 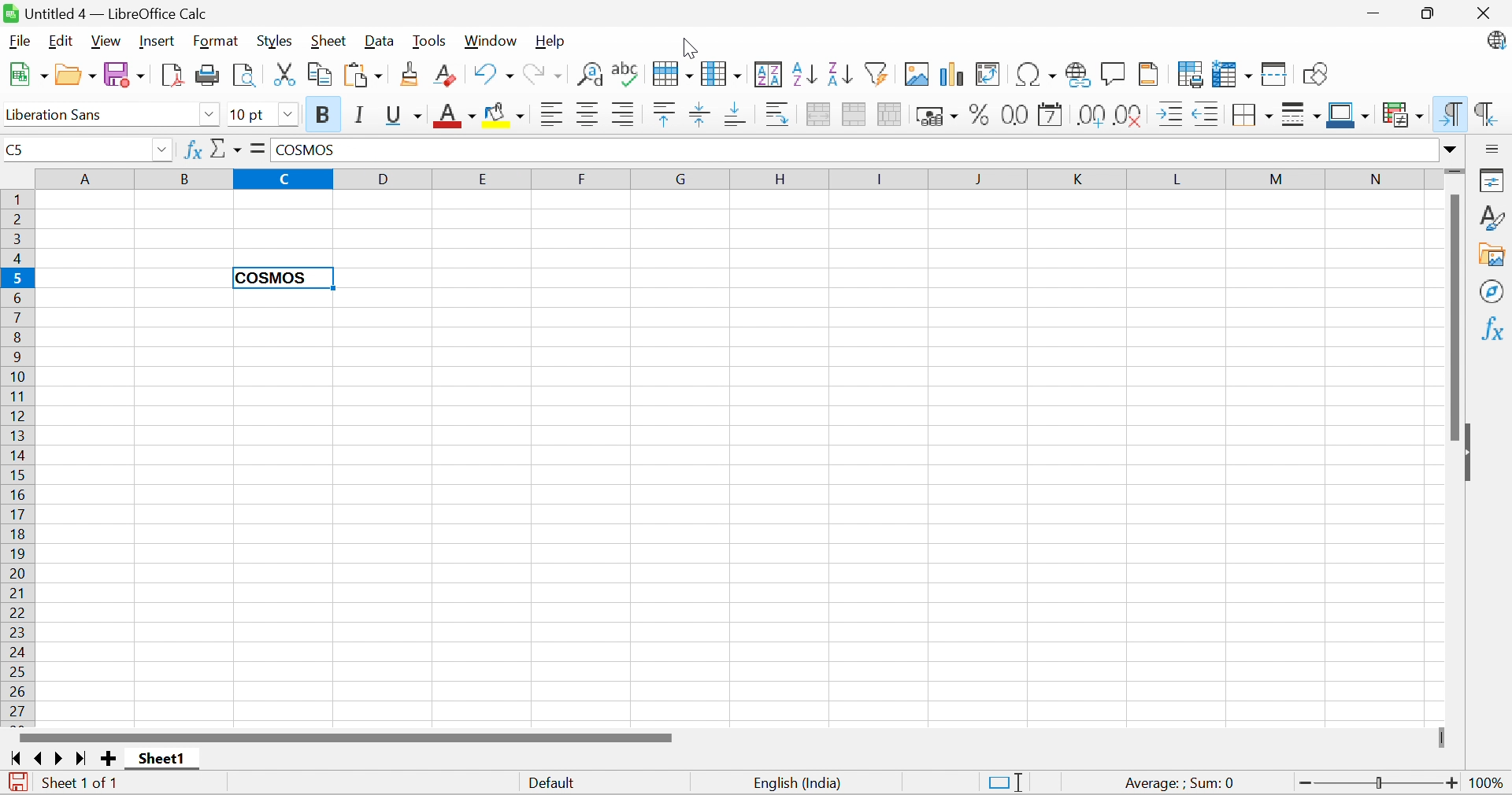 I want to click on Row Number, so click(x=17, y=457).